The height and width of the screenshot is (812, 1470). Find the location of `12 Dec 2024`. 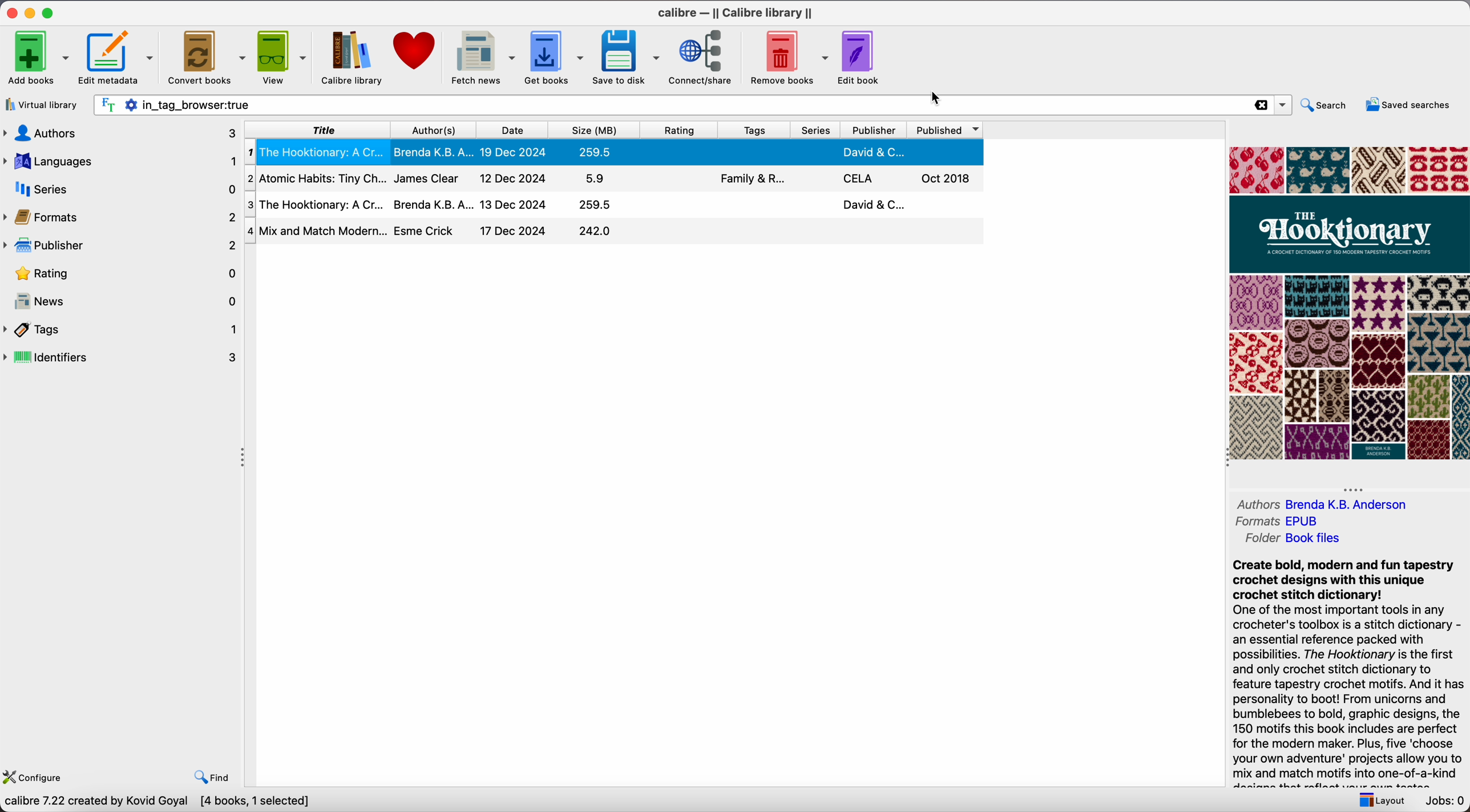

12 Dec 2024 is located at coordinates (515, 177).